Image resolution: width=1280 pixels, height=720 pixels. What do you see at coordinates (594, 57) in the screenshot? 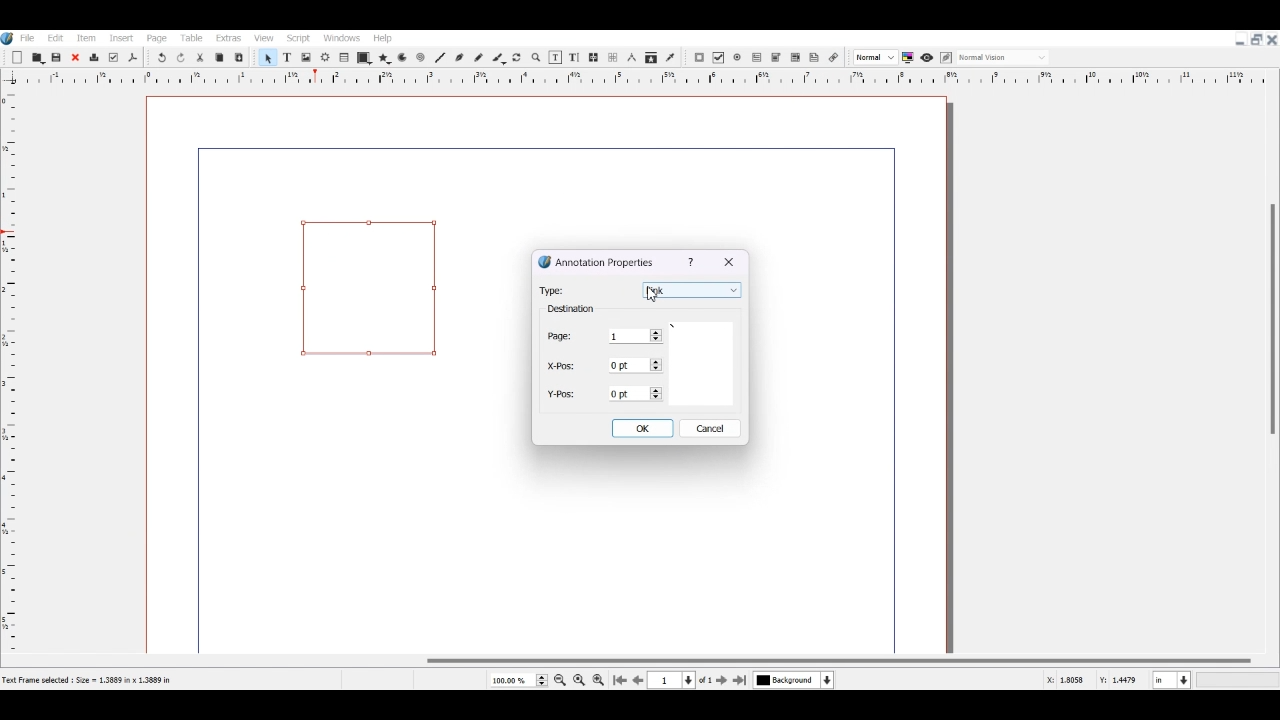
I see `Link text Frame` at bounding box center [594, 57].